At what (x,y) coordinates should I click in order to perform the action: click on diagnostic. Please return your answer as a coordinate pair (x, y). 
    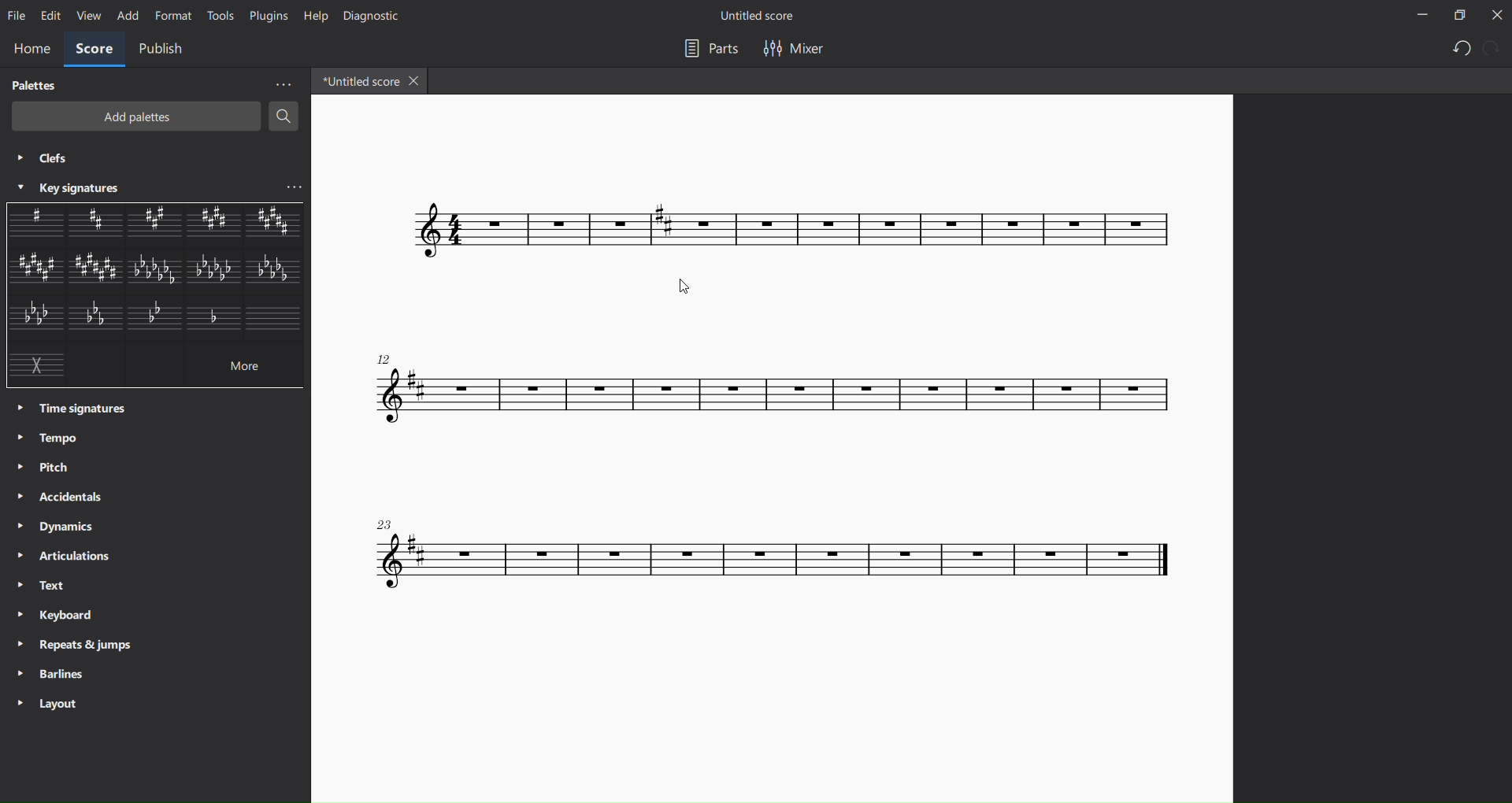
    Looking at the image, I should click on (374, 17).